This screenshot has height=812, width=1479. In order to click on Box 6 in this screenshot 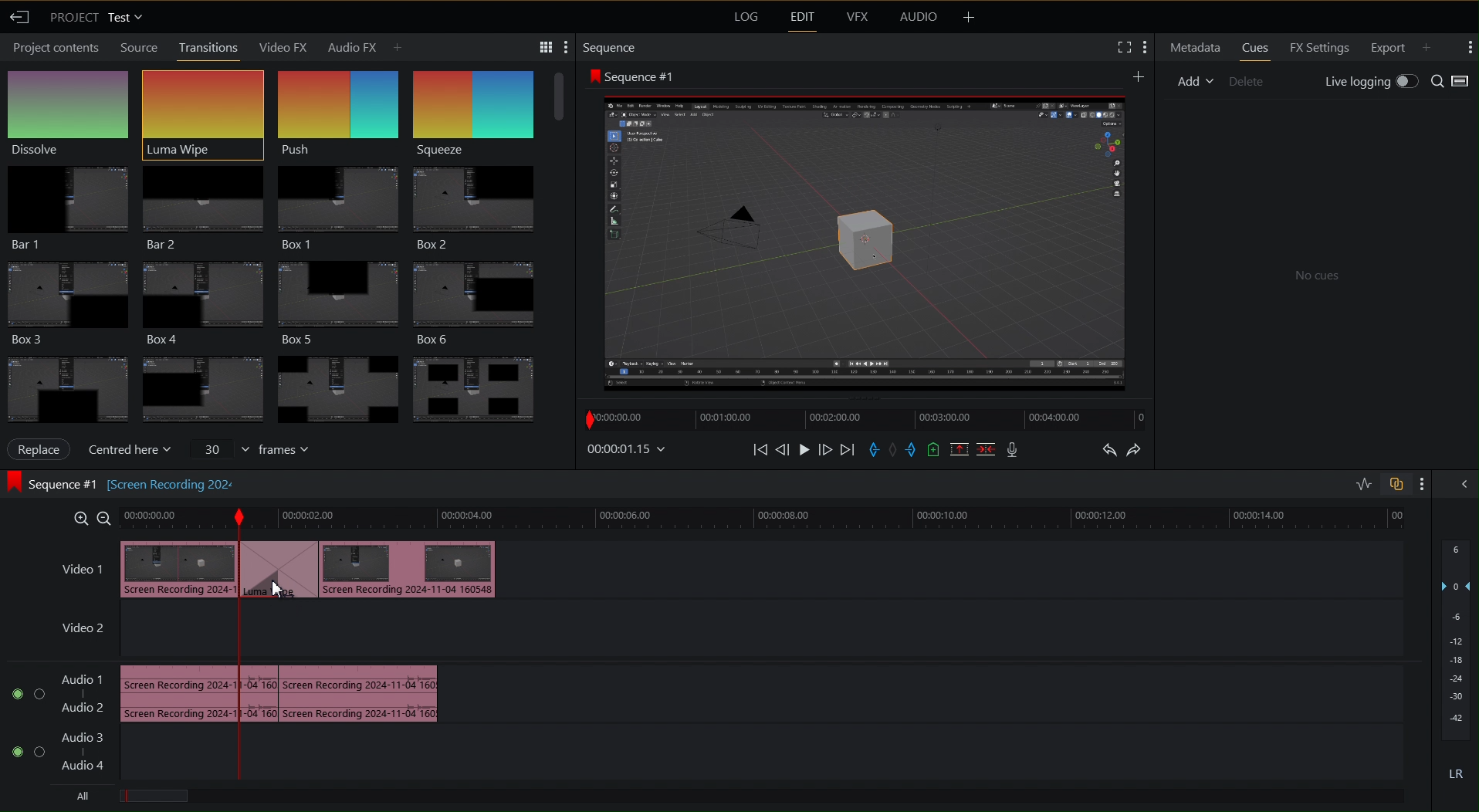, I will do `click(485, 297)`.